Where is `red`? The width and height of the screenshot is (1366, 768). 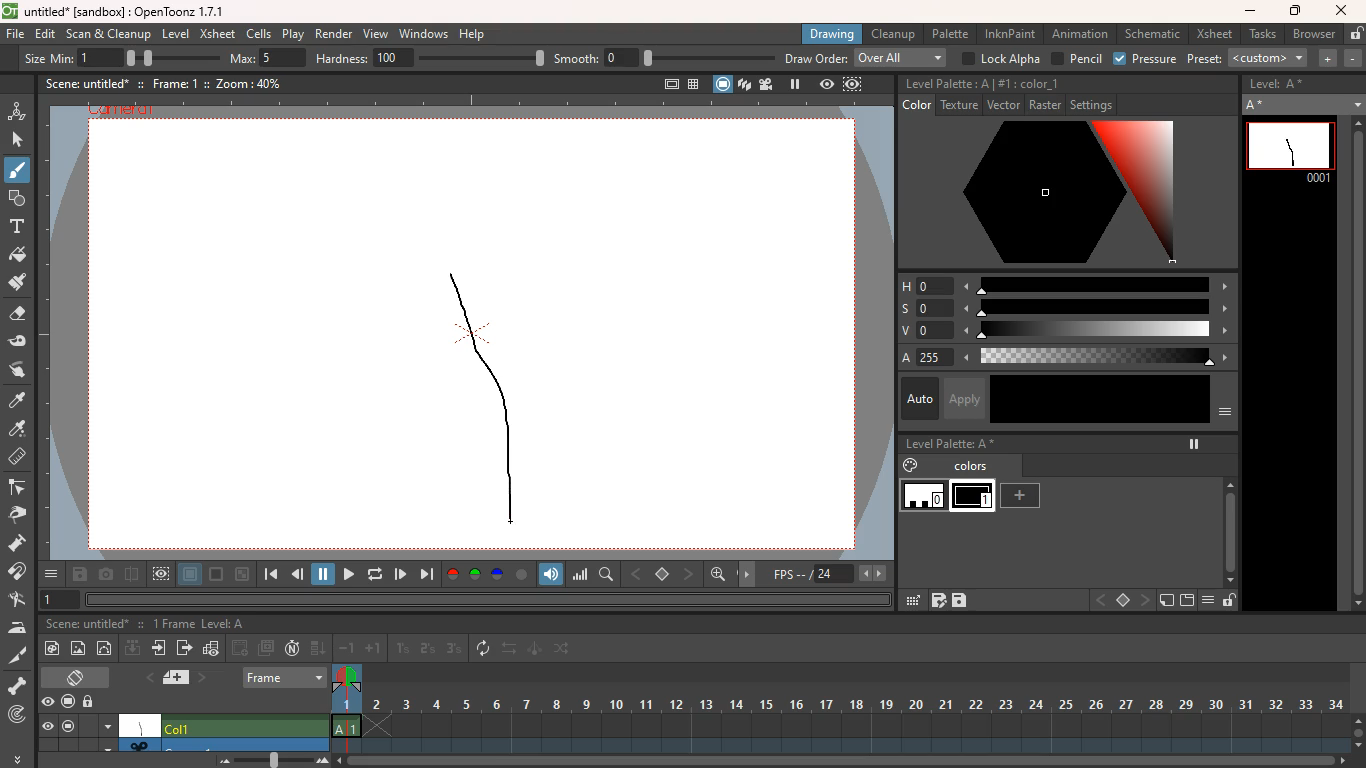 red is located at coordinates (452, 574).